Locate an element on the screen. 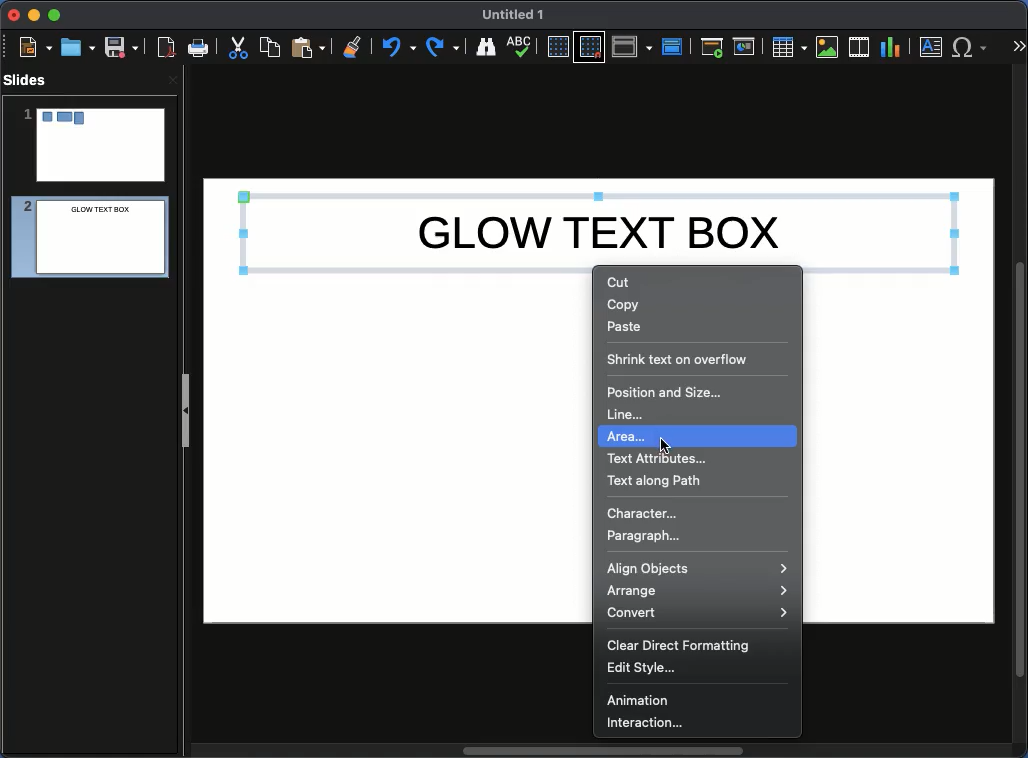 The image size is (1028, 758). Current slide is located at coordinates (747, 47).